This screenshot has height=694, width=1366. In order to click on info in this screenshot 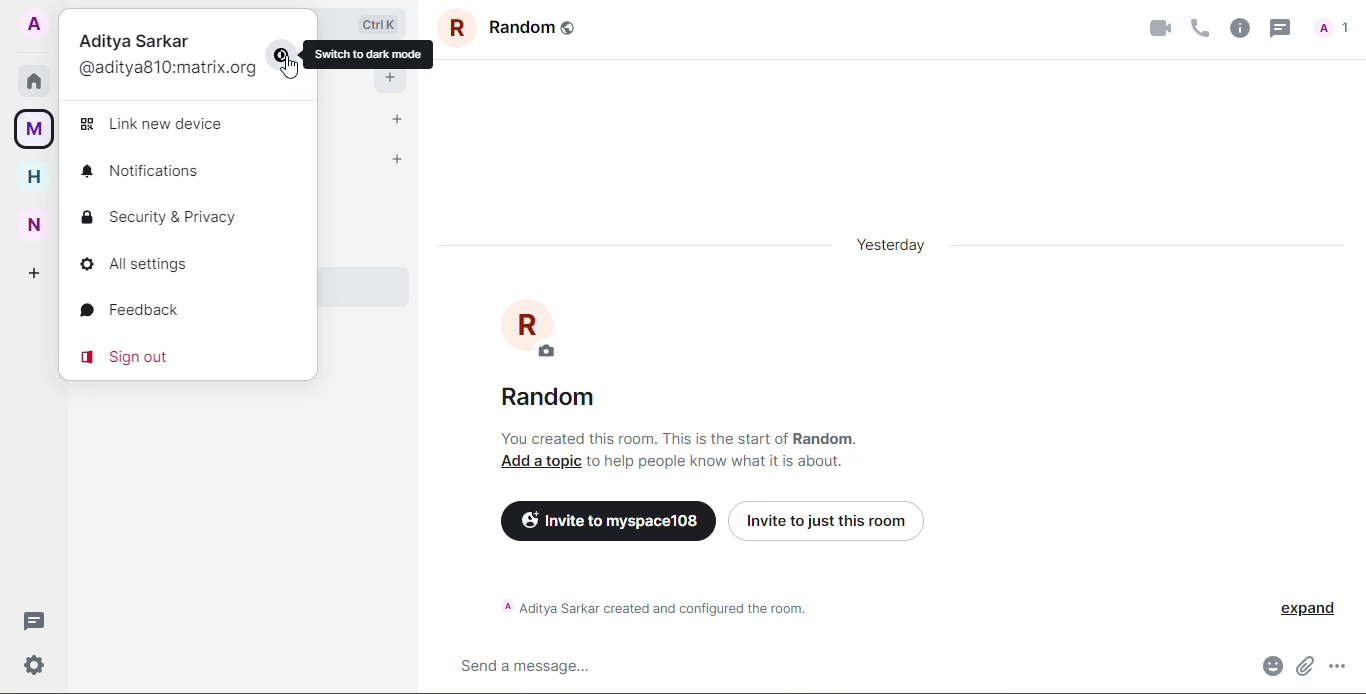, I will do `click(1238, 27)`.